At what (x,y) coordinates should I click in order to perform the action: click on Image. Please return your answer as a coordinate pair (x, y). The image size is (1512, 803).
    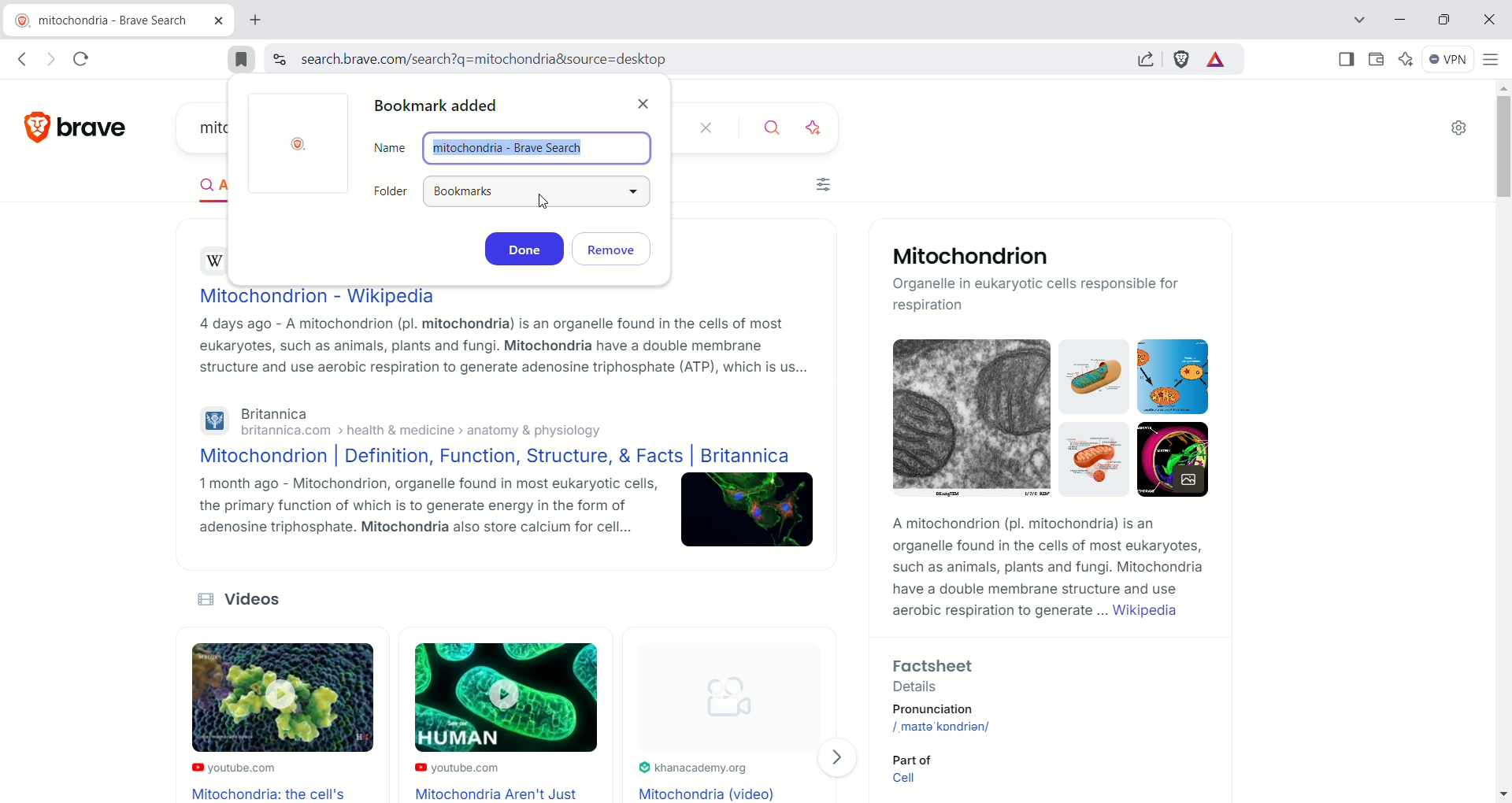
    Looking at the image, I should click on (748, 513).